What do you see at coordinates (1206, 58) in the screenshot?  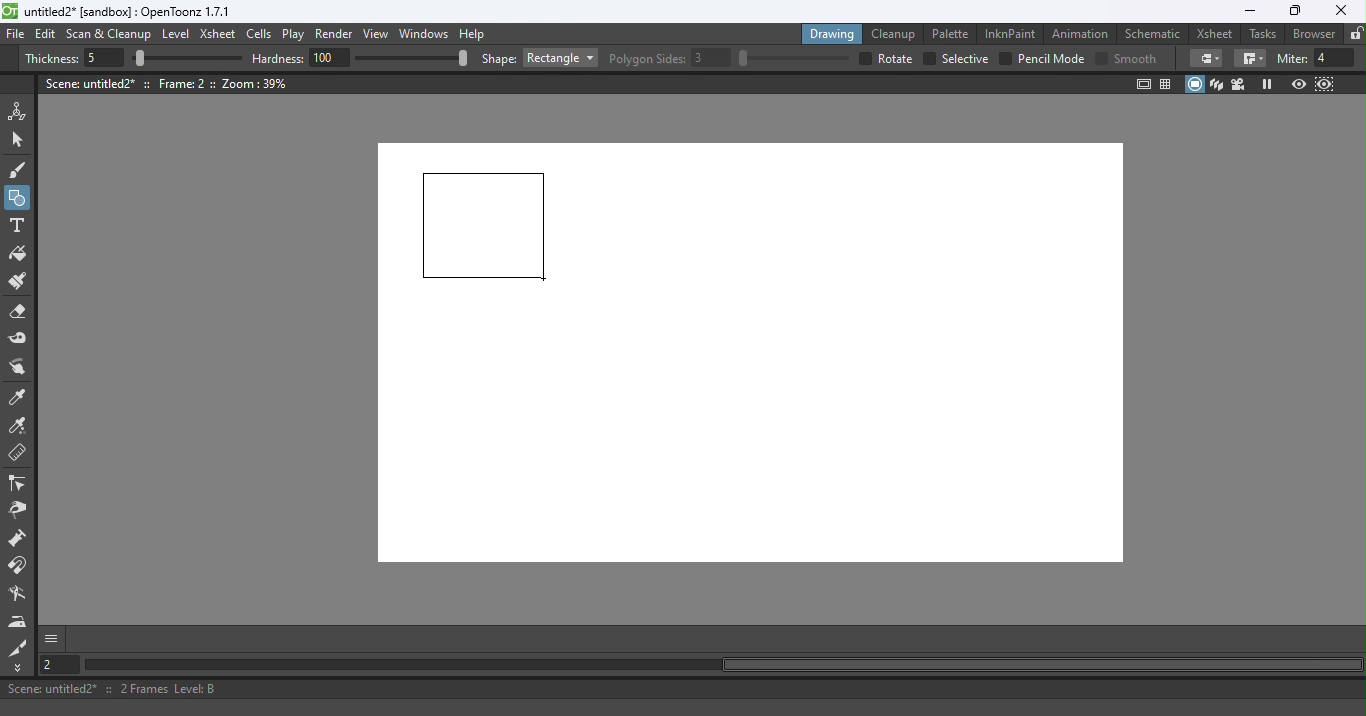 I see `Border corners` at bounding box center [1206, 58].